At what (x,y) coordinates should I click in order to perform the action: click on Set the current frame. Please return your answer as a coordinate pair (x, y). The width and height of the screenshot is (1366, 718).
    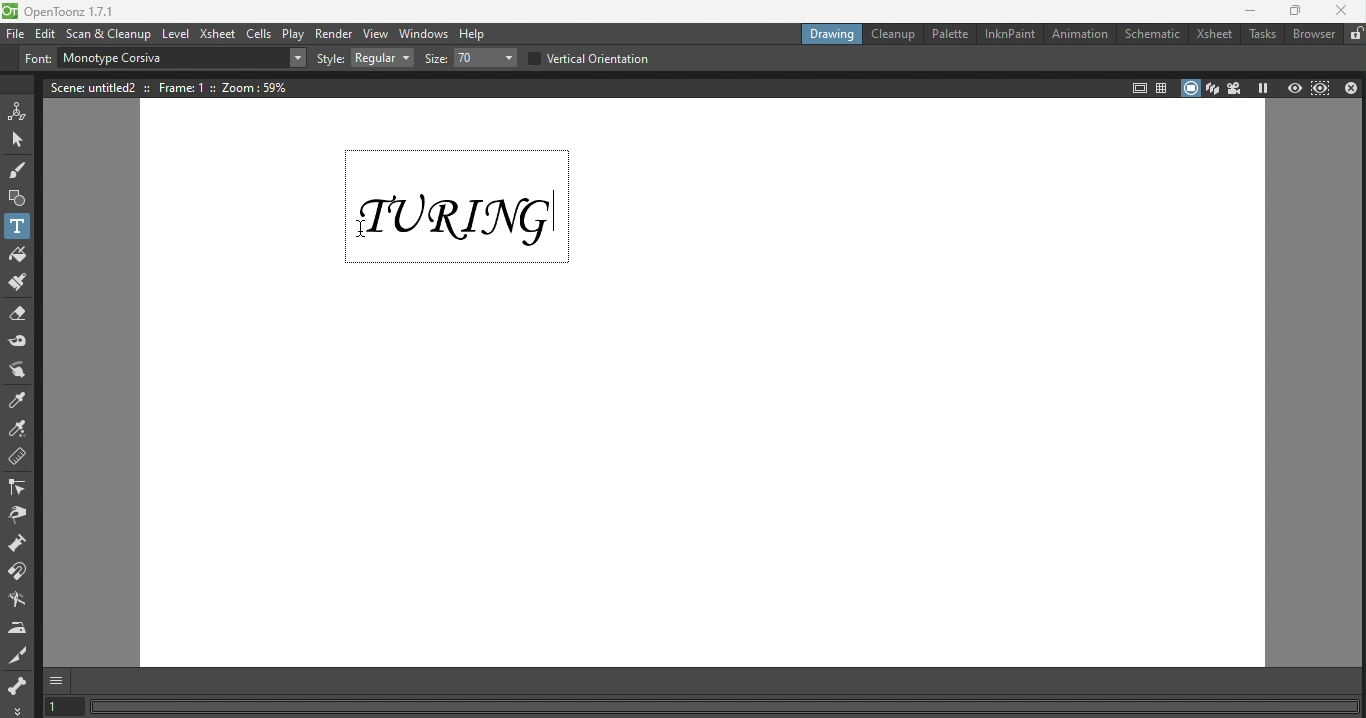
    Looking at the image, I should click on (61, 706).